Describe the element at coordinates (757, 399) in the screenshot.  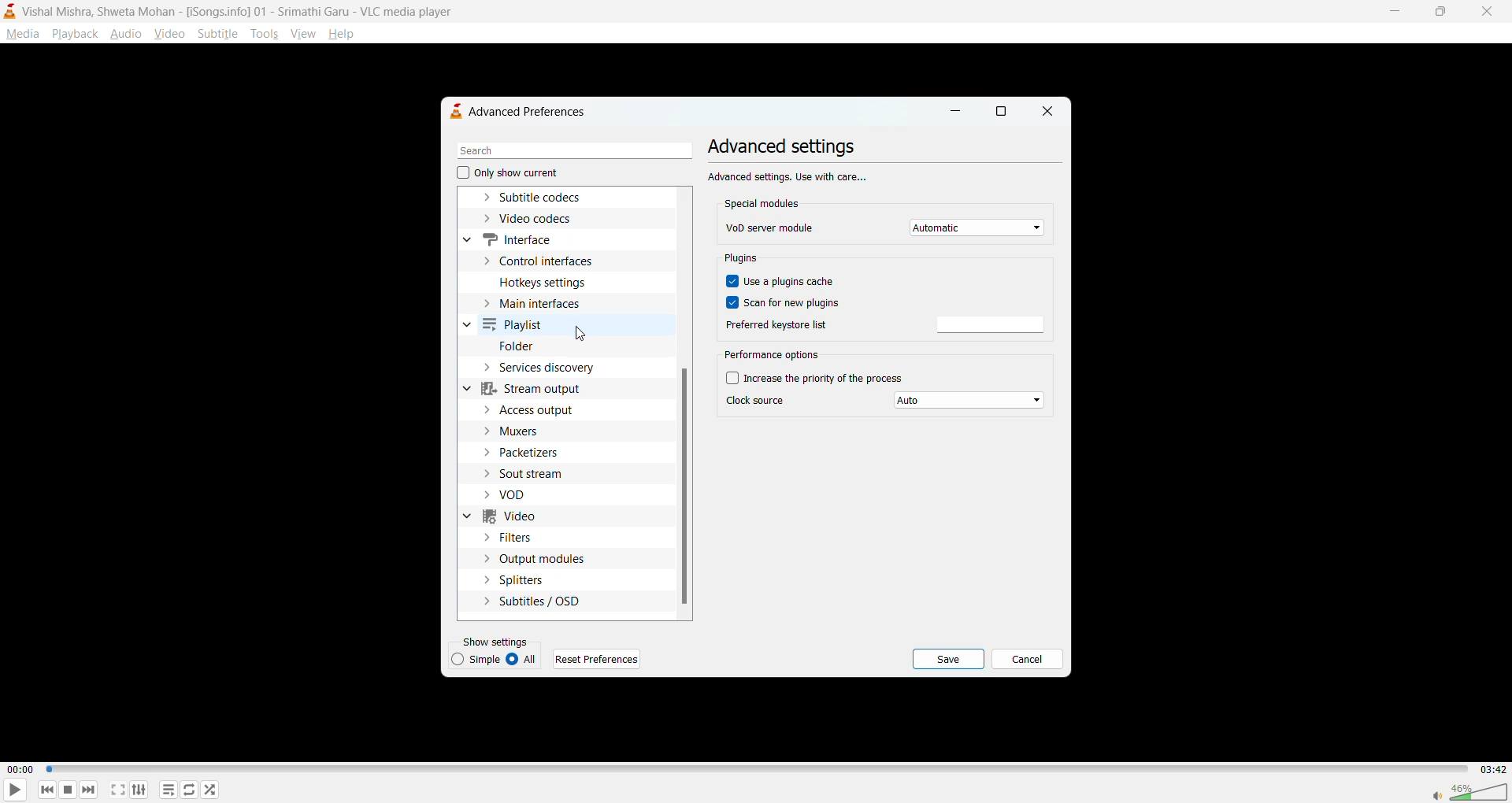
I see `clock source` at that location.